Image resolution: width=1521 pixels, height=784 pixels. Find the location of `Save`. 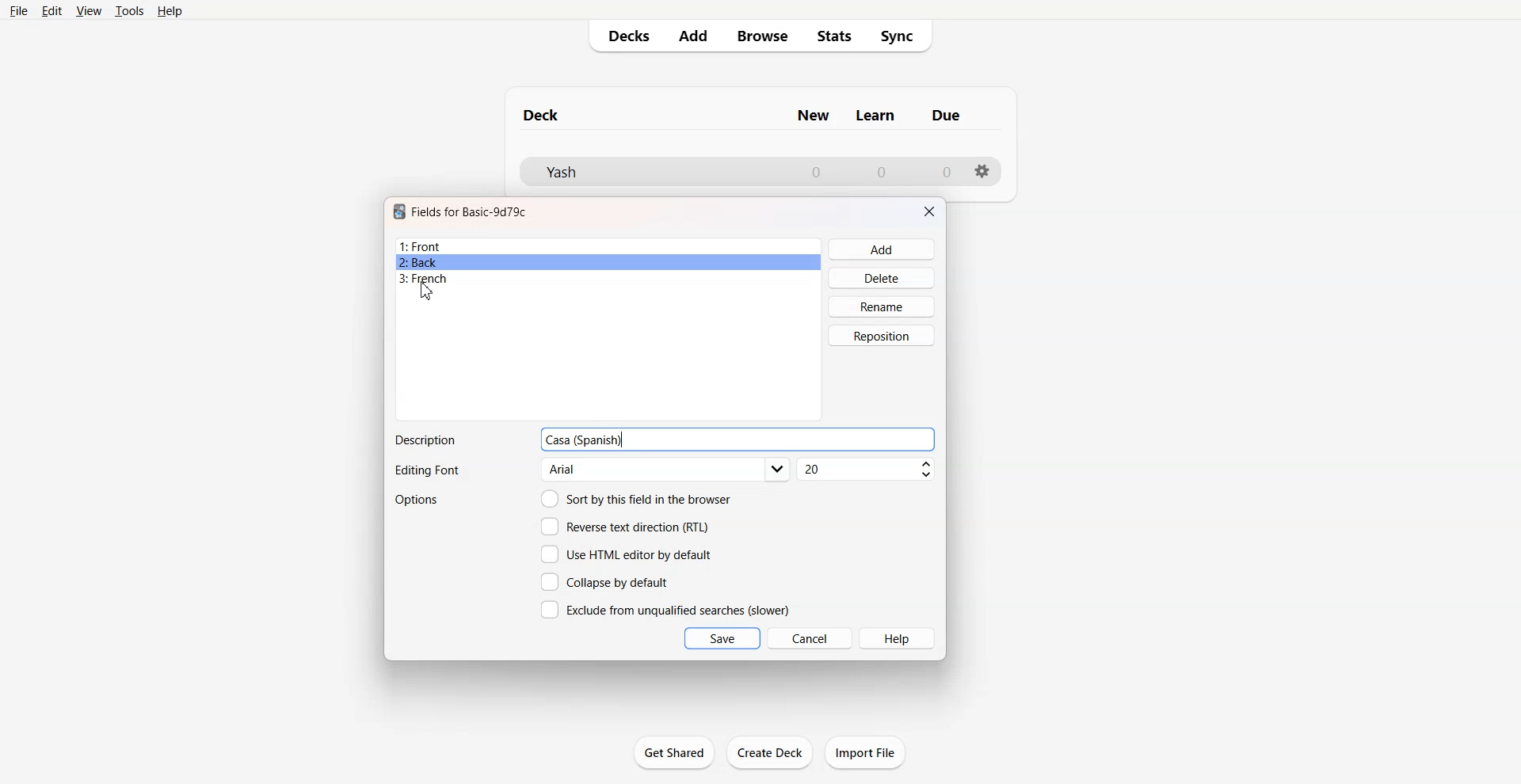

Save is located at coordinates (722, 638).